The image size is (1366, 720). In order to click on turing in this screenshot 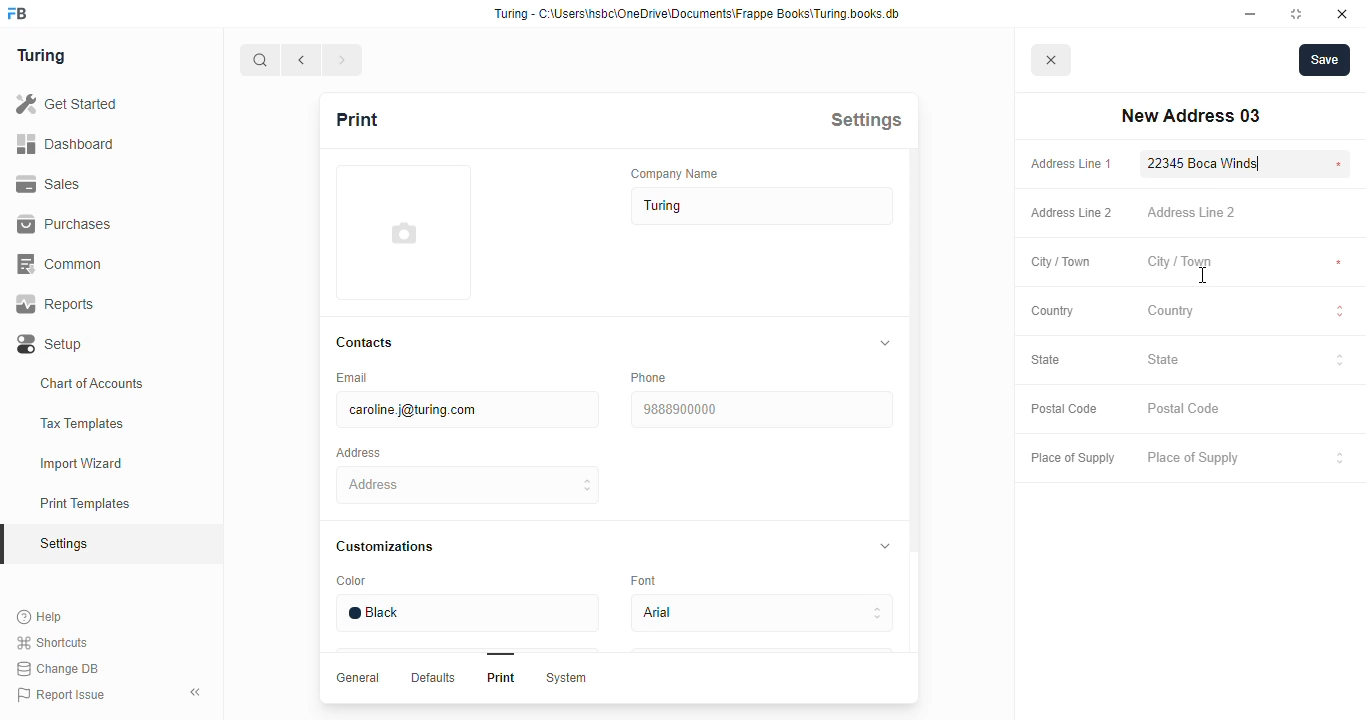, I will do `click(763, 206)`.